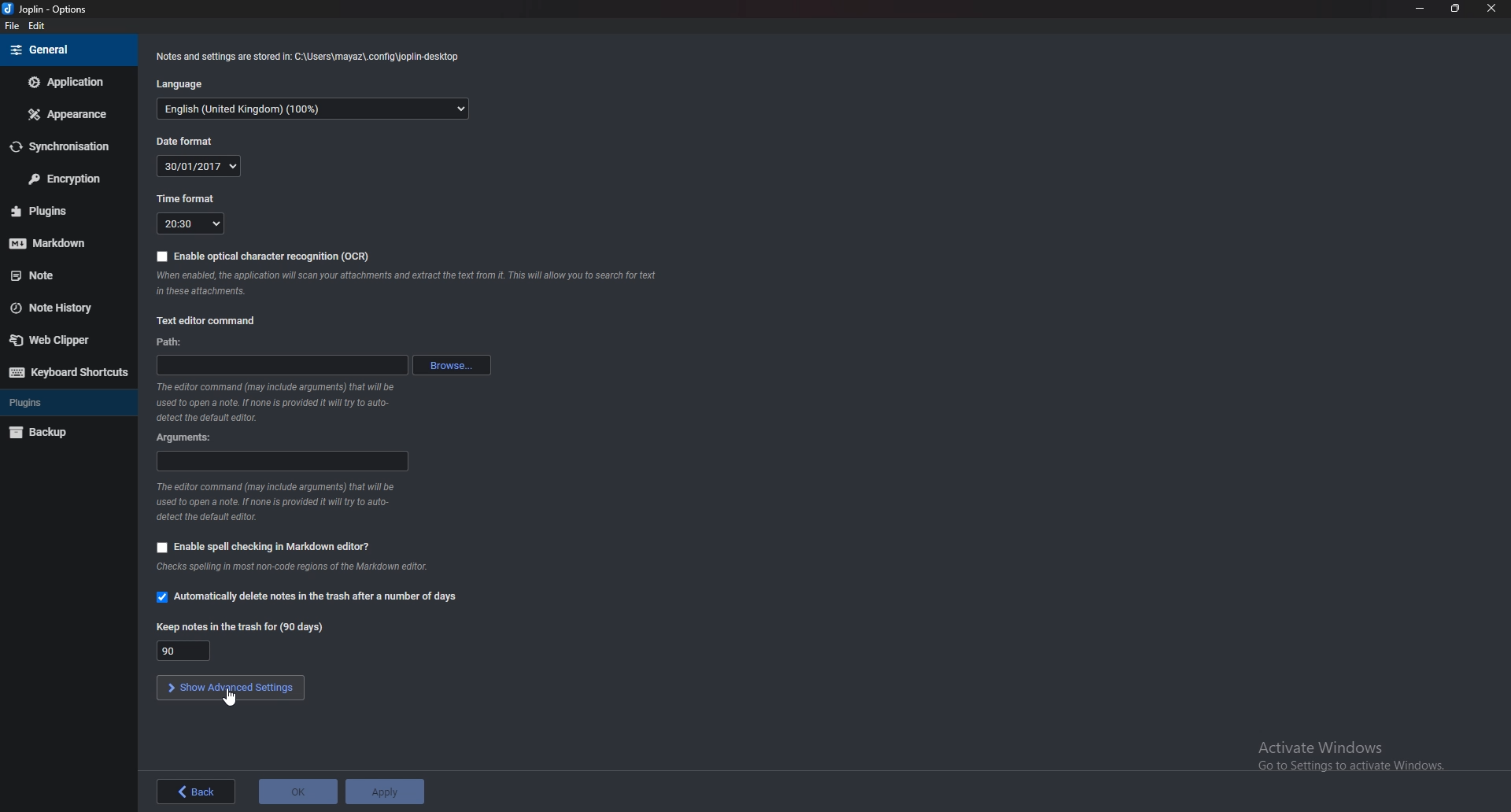 This screenshot has width=1511, height=812. What do you see at coordinates (1453, 9) in the screenshot?
I see `Resize` at bounding box center [1453, 9].